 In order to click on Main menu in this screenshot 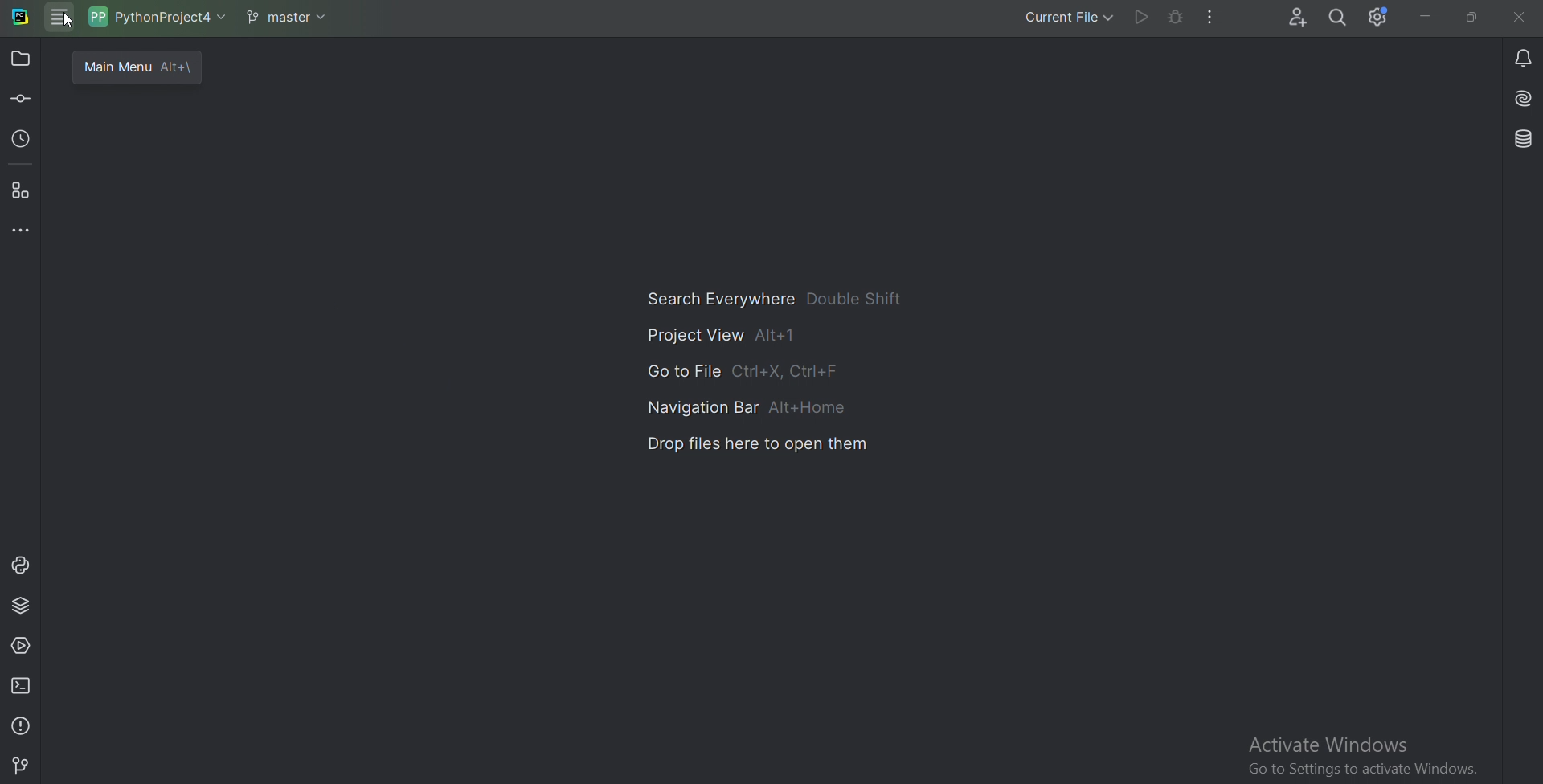, I will do `click(62, 19)`.